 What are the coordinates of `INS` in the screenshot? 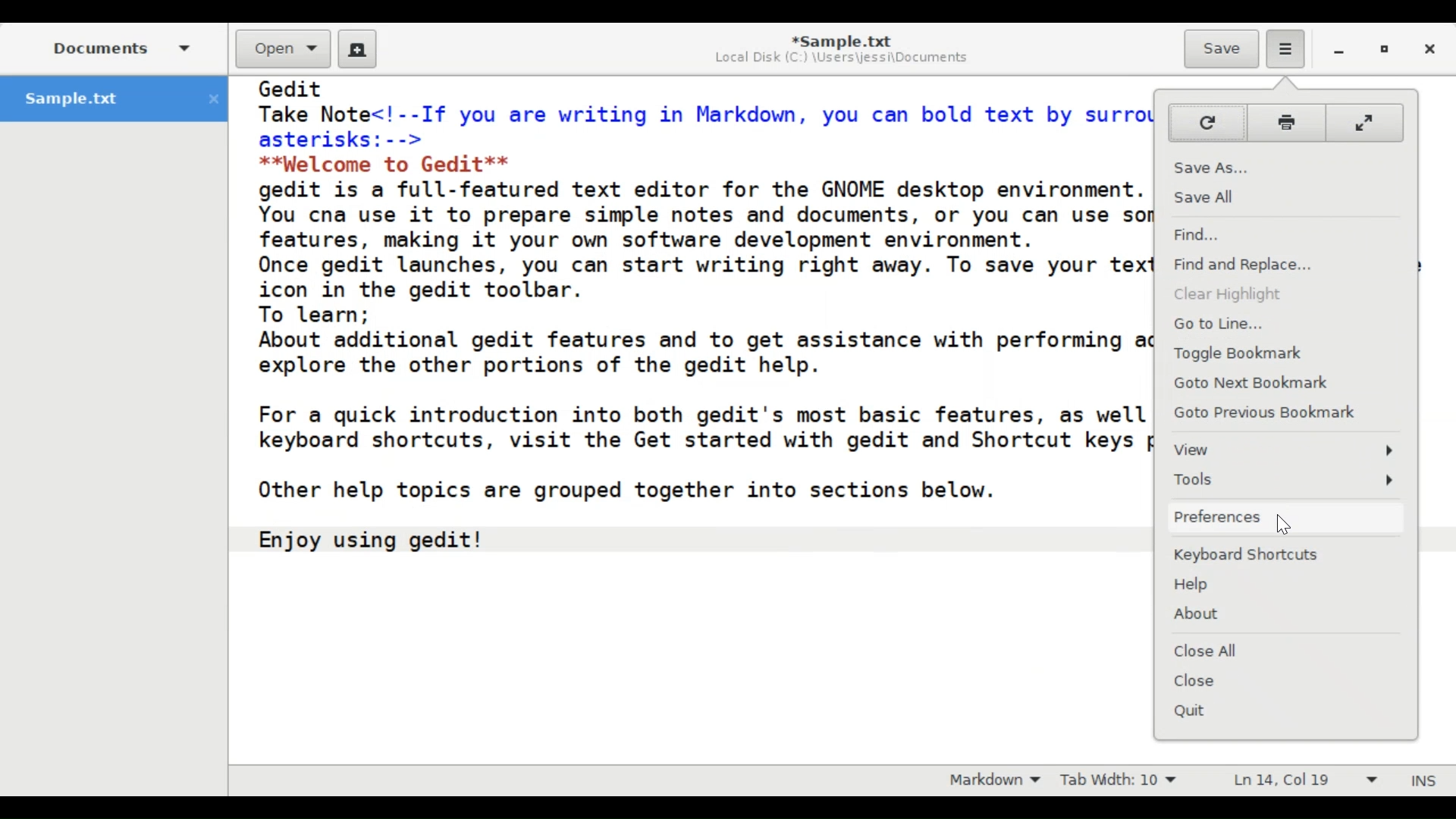 It's located at (1422, 779).